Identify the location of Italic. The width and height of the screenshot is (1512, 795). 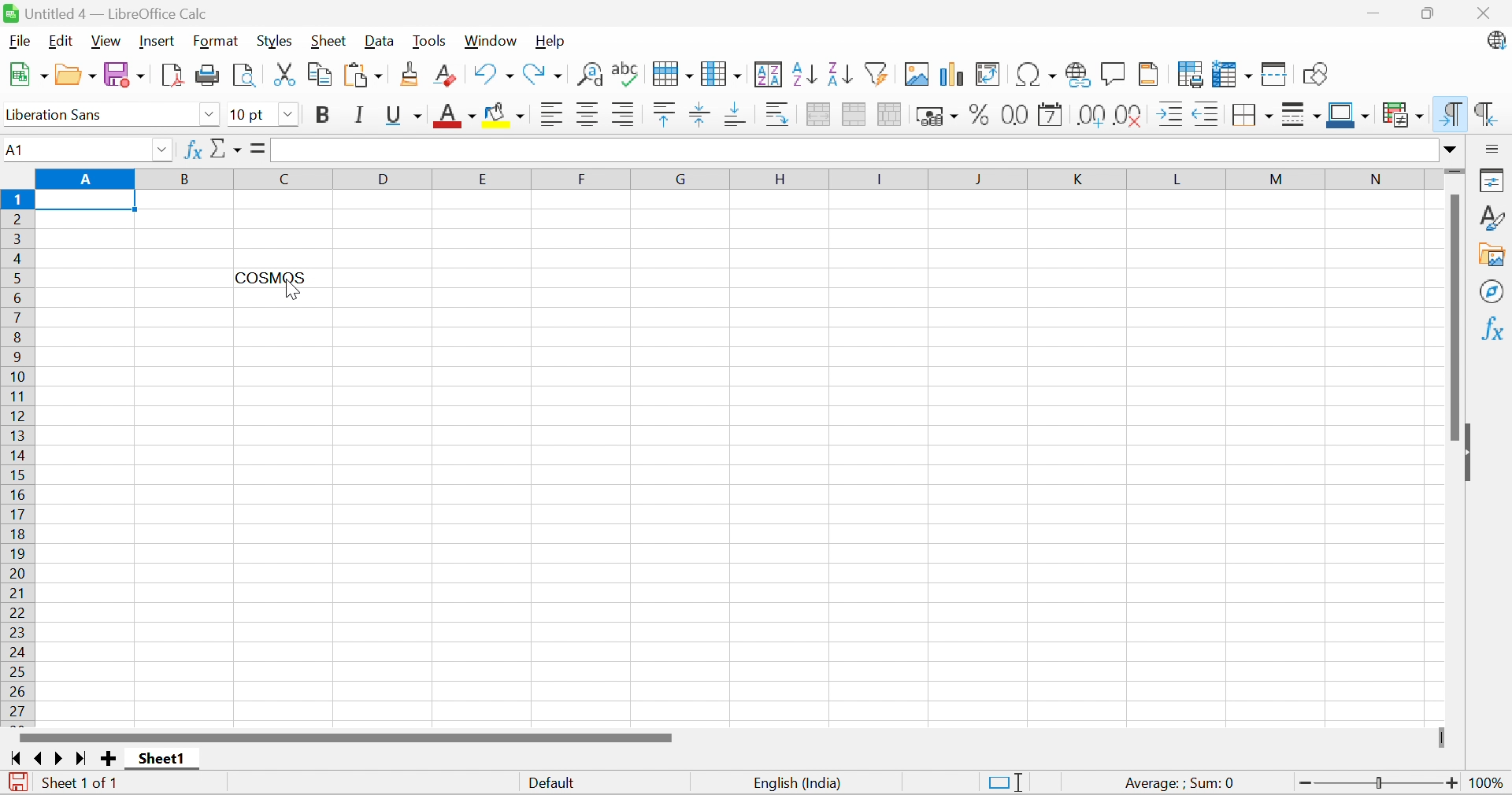
(361, 115).